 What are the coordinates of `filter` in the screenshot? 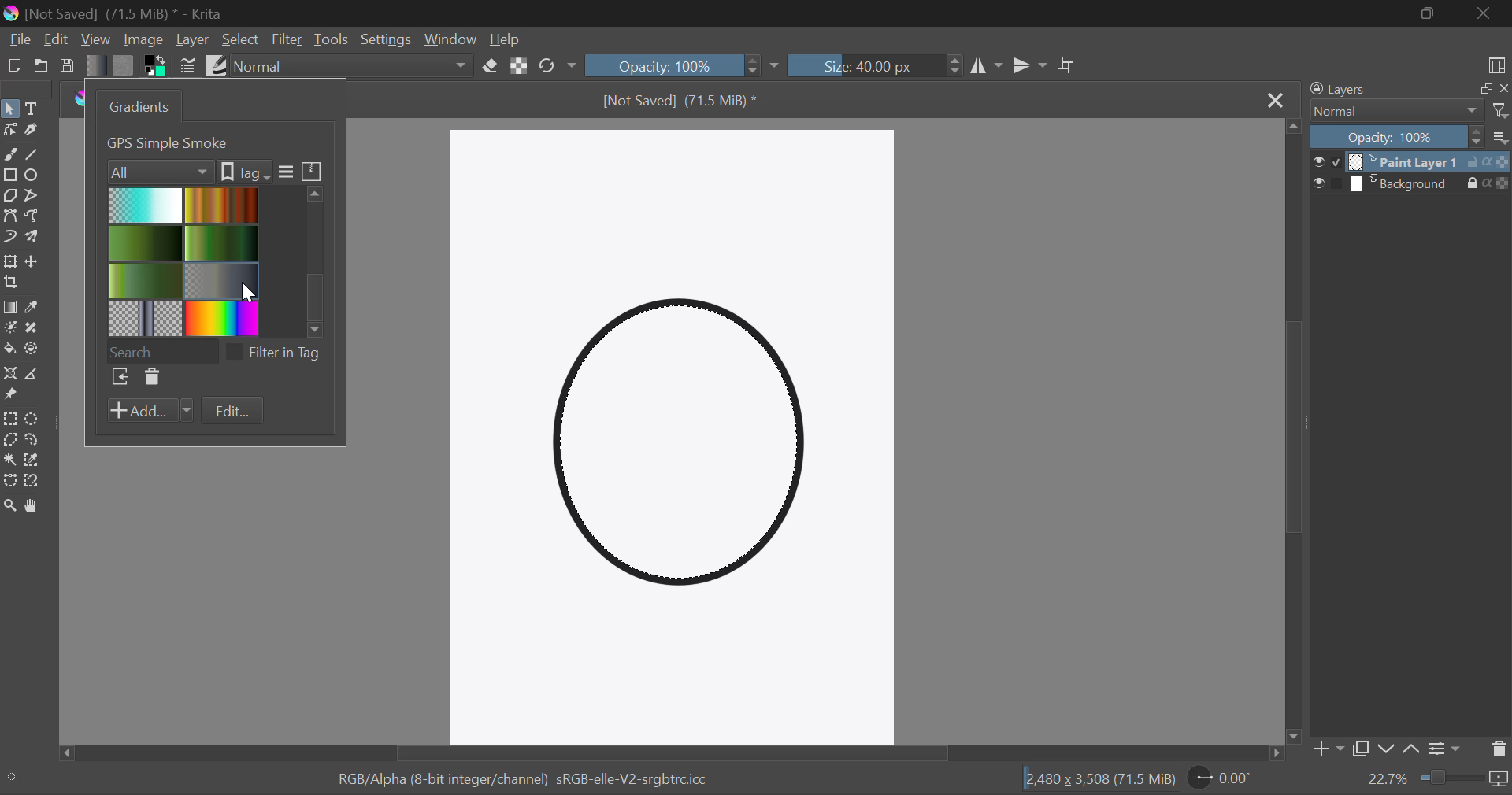 It's located at (1499, 111).